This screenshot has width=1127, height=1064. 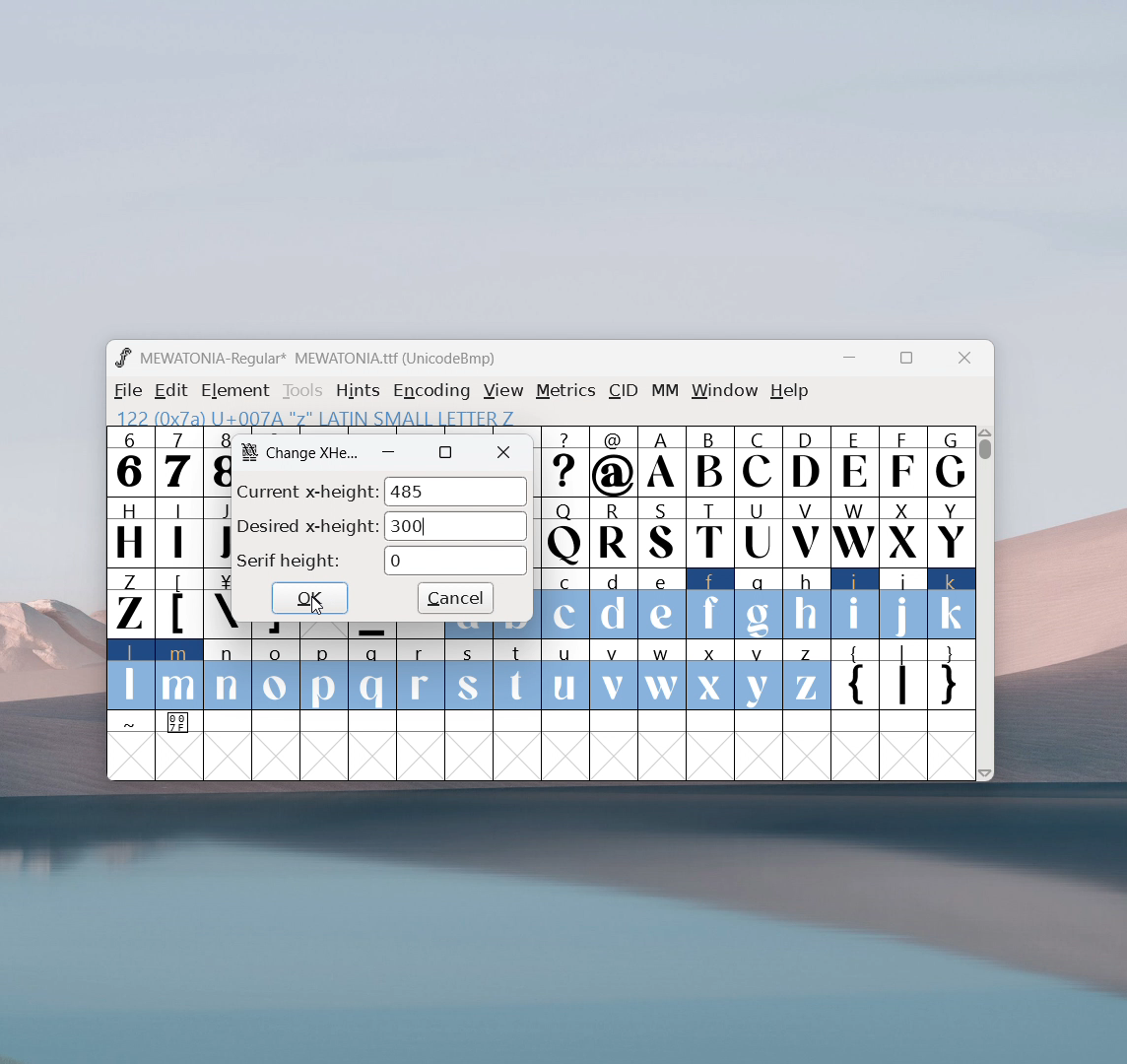 What do you see at coordinates (217, 530) in the screenshot?
I see `J` at bounding box center [217, 530].